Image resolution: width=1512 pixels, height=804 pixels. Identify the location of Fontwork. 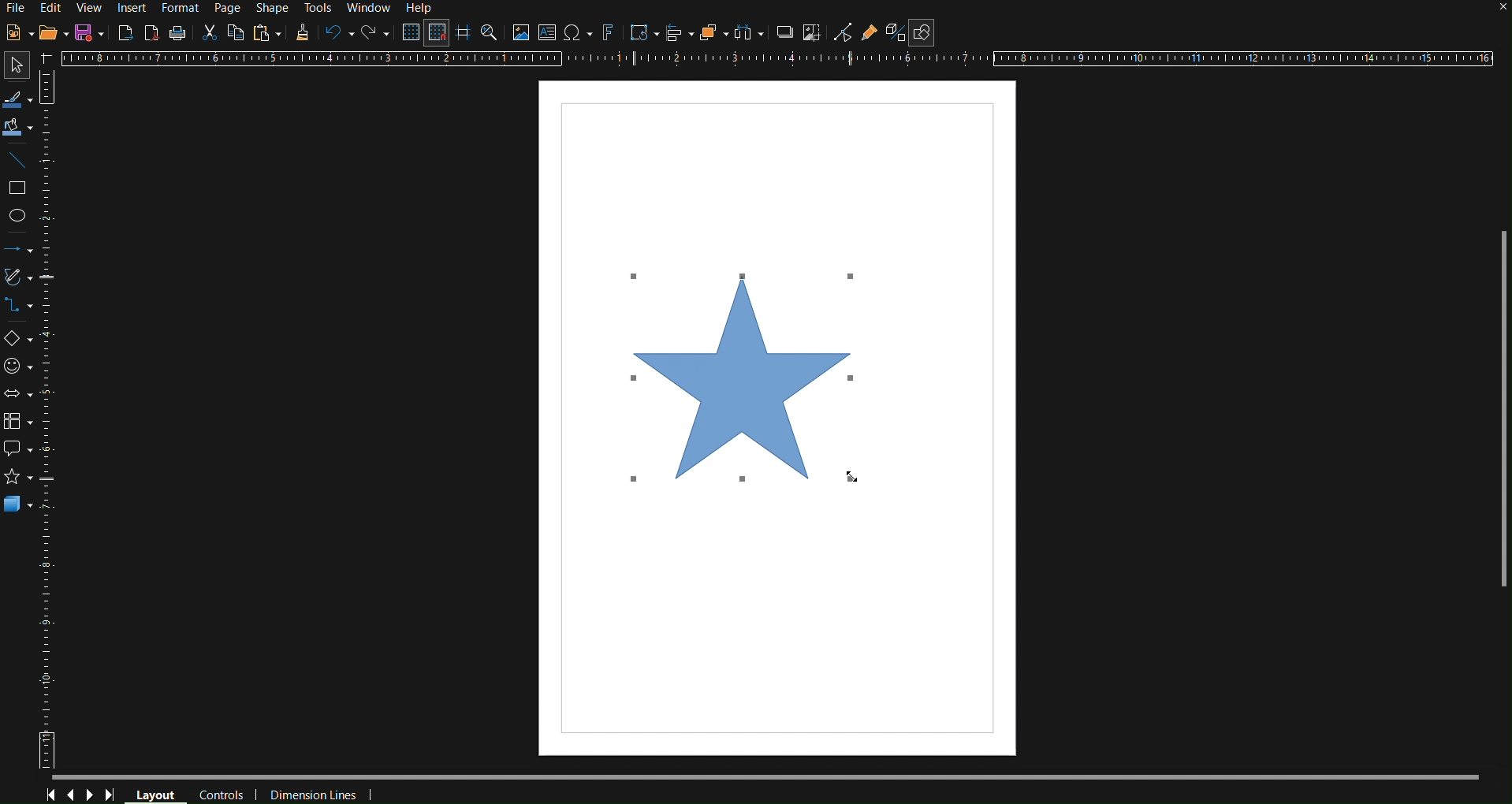
(609, 34).